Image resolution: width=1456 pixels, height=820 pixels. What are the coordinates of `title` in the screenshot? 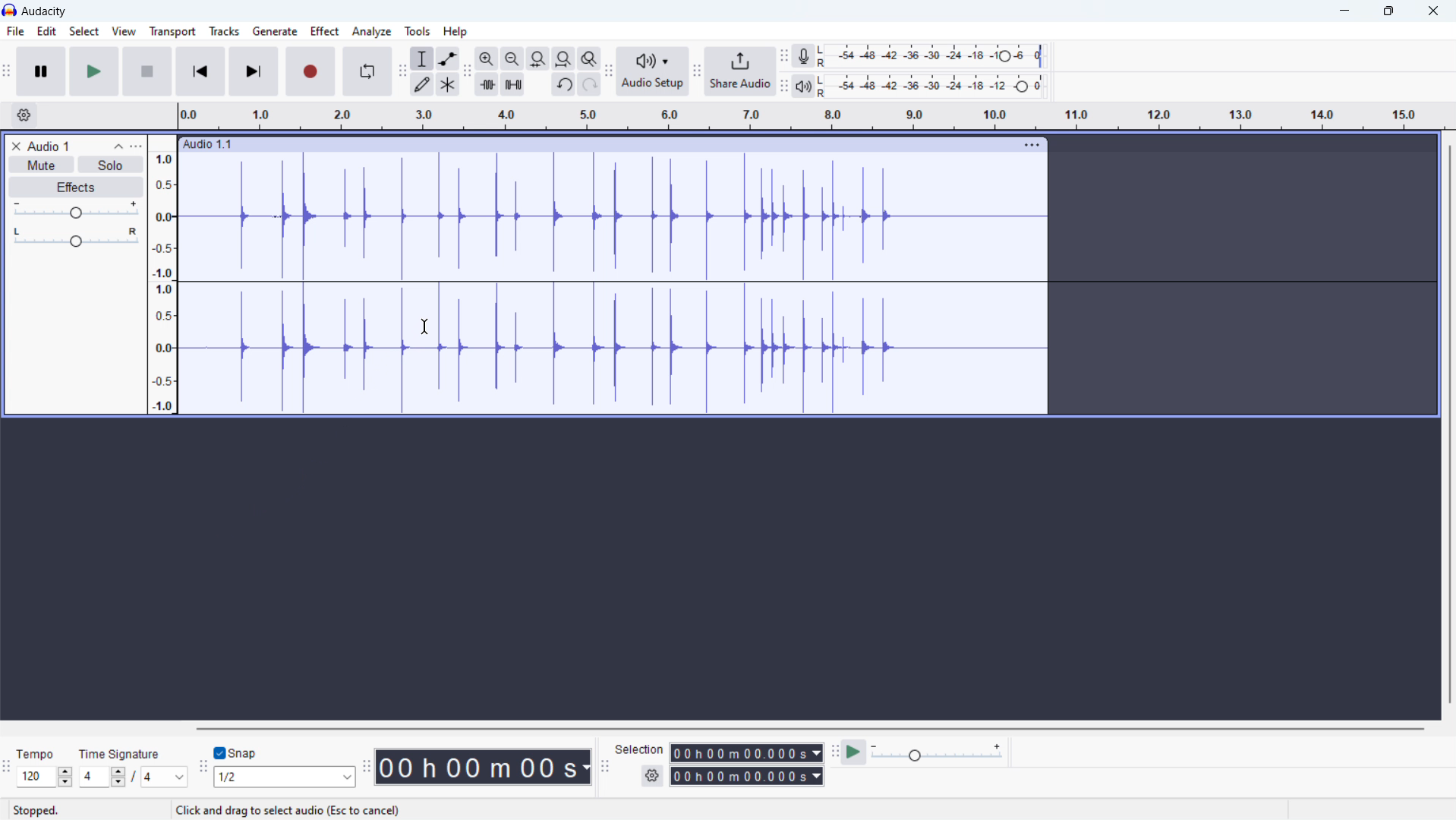 It's located at (50, 146).